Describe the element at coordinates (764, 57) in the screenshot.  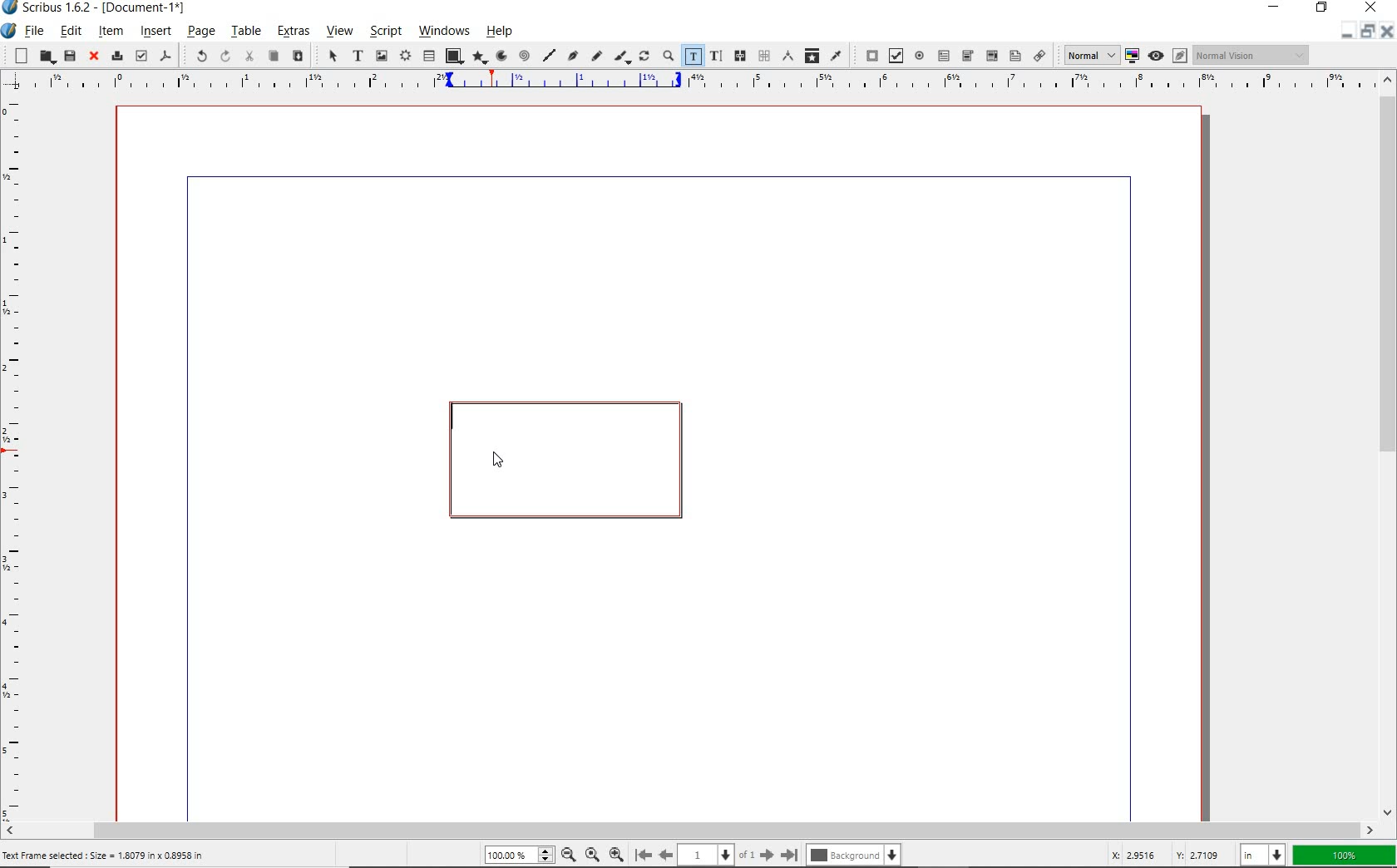
I see `unlink text frames` at that location.